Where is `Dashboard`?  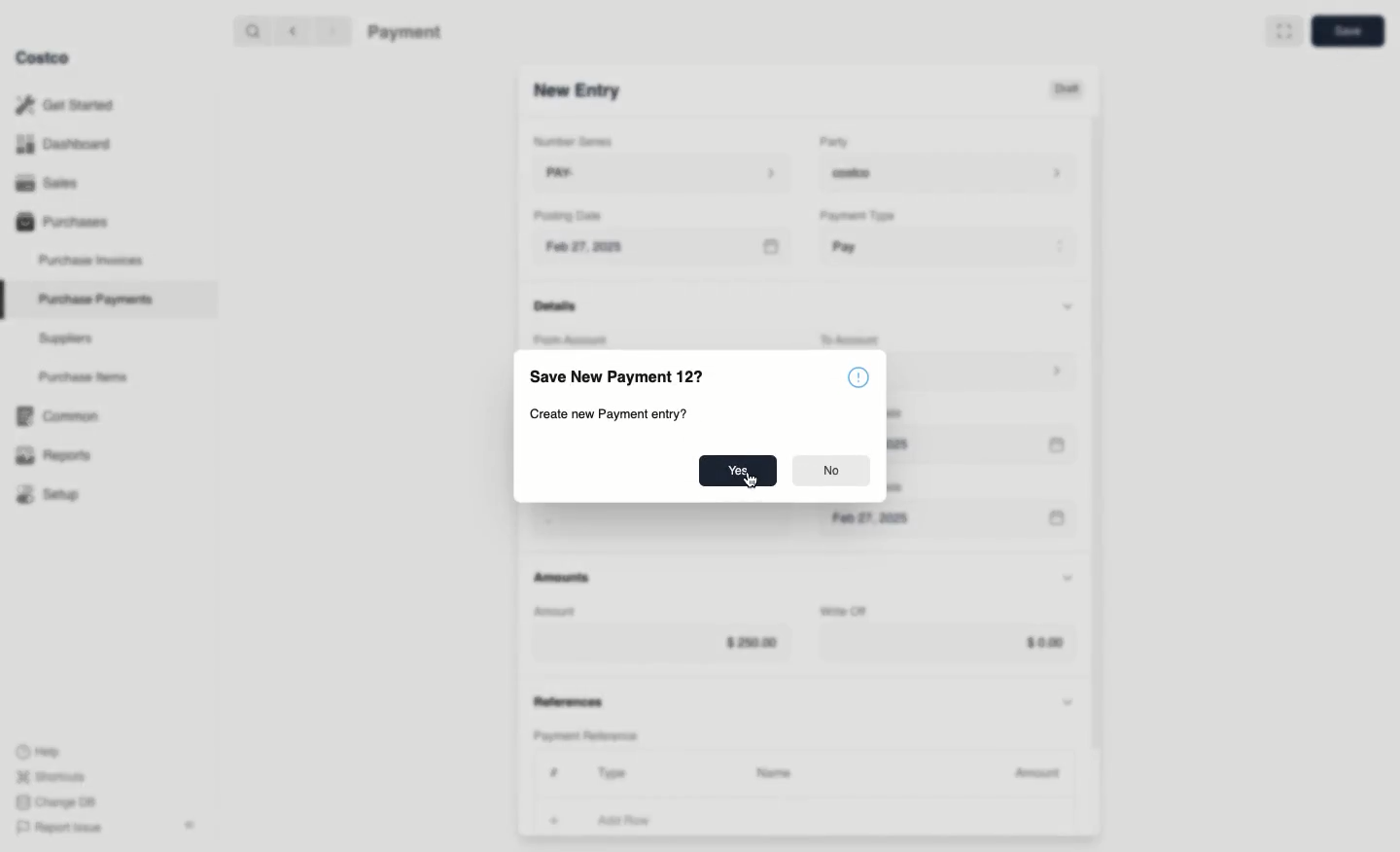 Dashboard is located at coordinates (69, 143).